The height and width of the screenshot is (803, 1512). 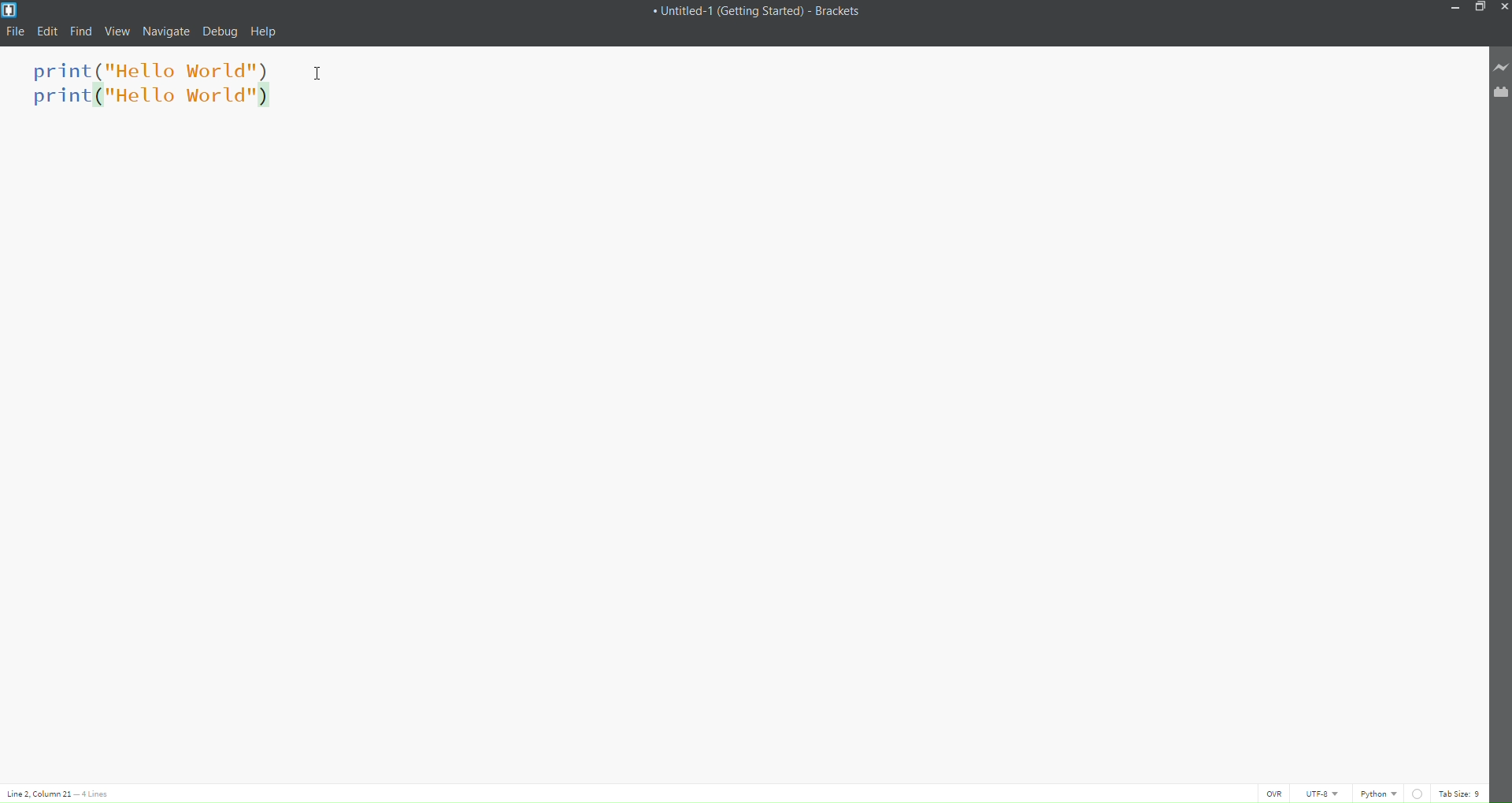 I want to click on linting, so click(x=1417, y=793).